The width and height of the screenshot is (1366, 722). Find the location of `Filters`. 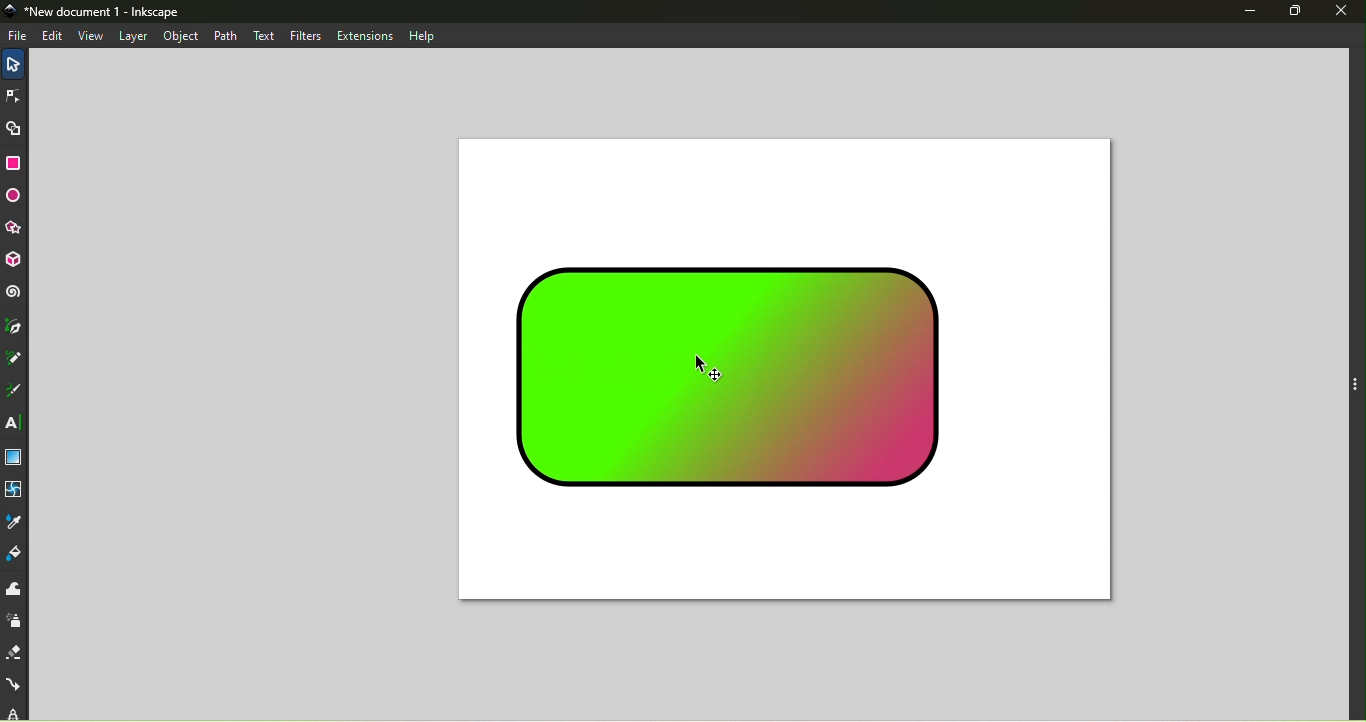

Filters is located at coordinates (300, 35).